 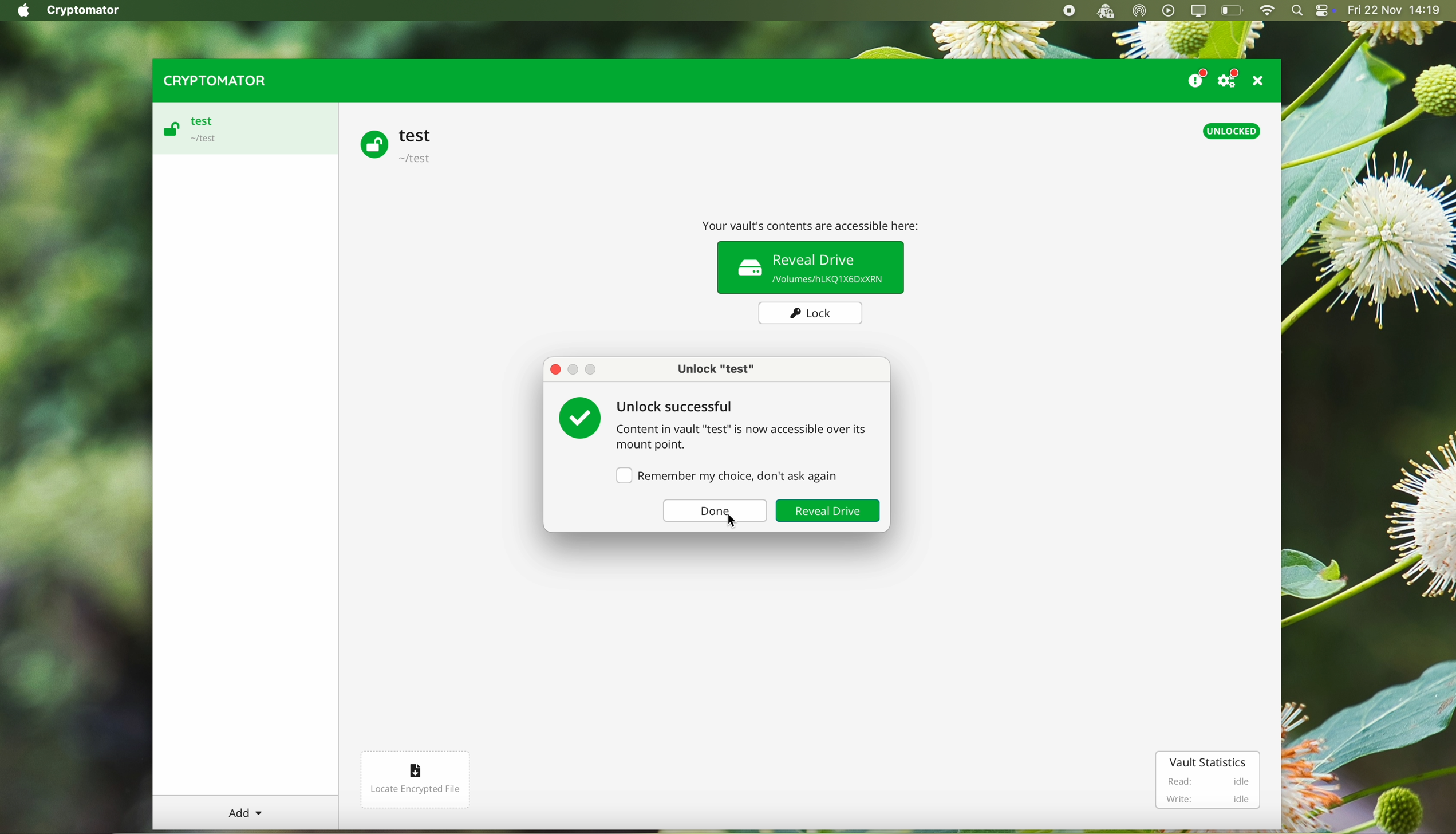 What do you see at coordinates (1201, 781) in the screenshot?
I see `Read: idle` at bounding box center [1201, 781].